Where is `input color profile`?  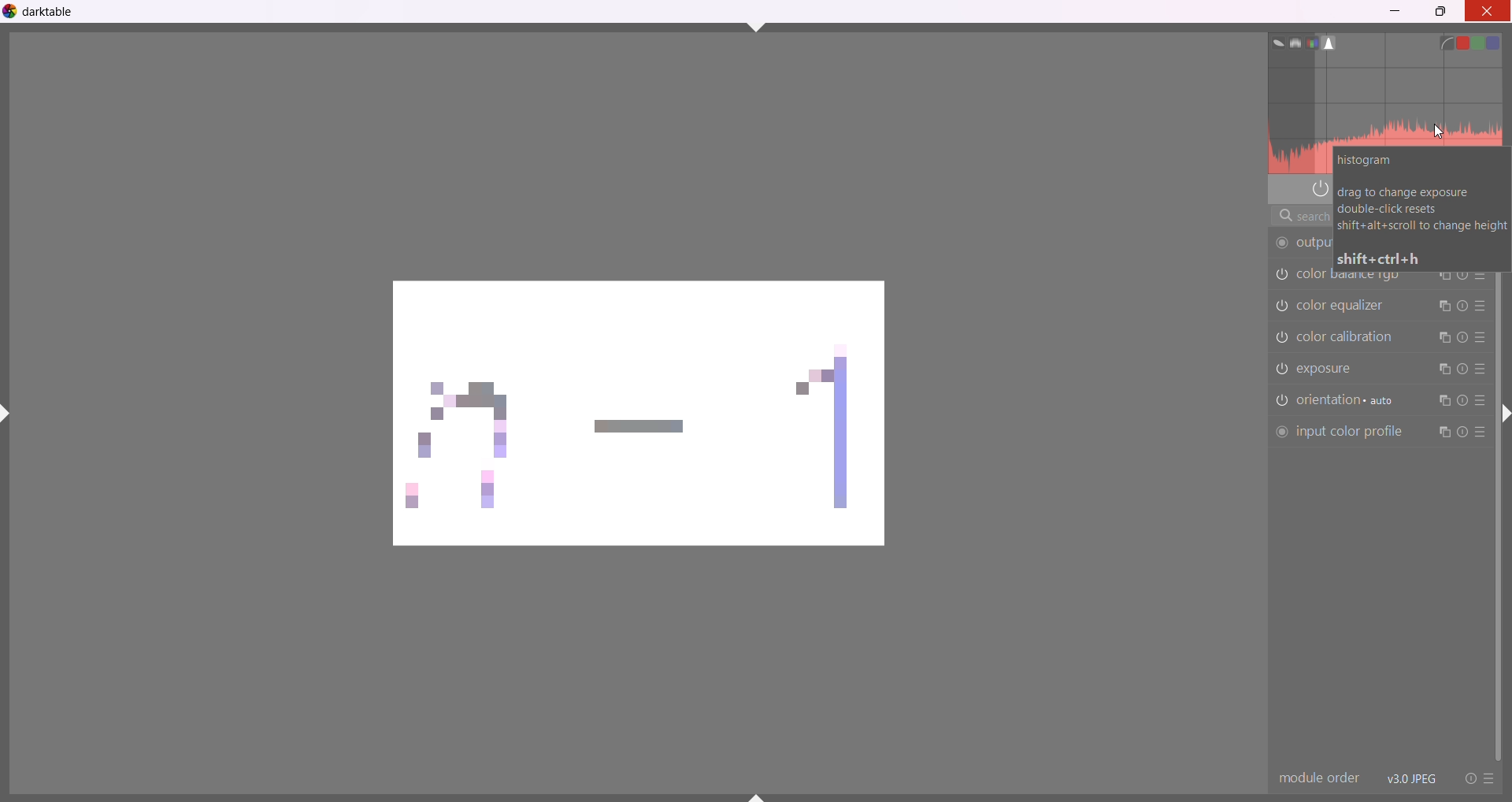
input color profile is located at coordinates (1338, 433).